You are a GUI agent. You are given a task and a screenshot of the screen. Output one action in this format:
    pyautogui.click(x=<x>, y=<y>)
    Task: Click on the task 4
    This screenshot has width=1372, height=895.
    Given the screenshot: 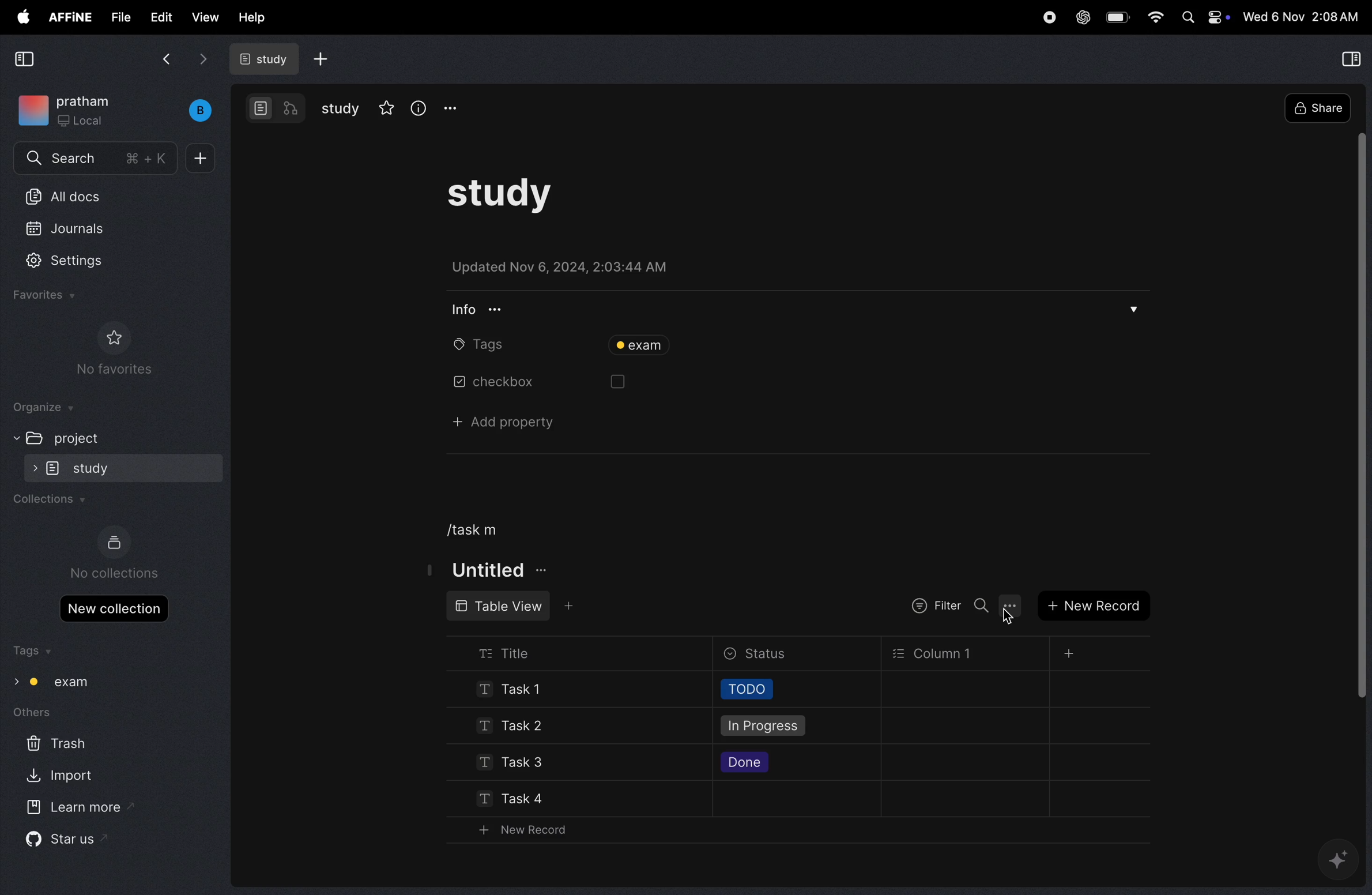 What is the action you would take?
    pyautogui.click(x=497, y=797)
    